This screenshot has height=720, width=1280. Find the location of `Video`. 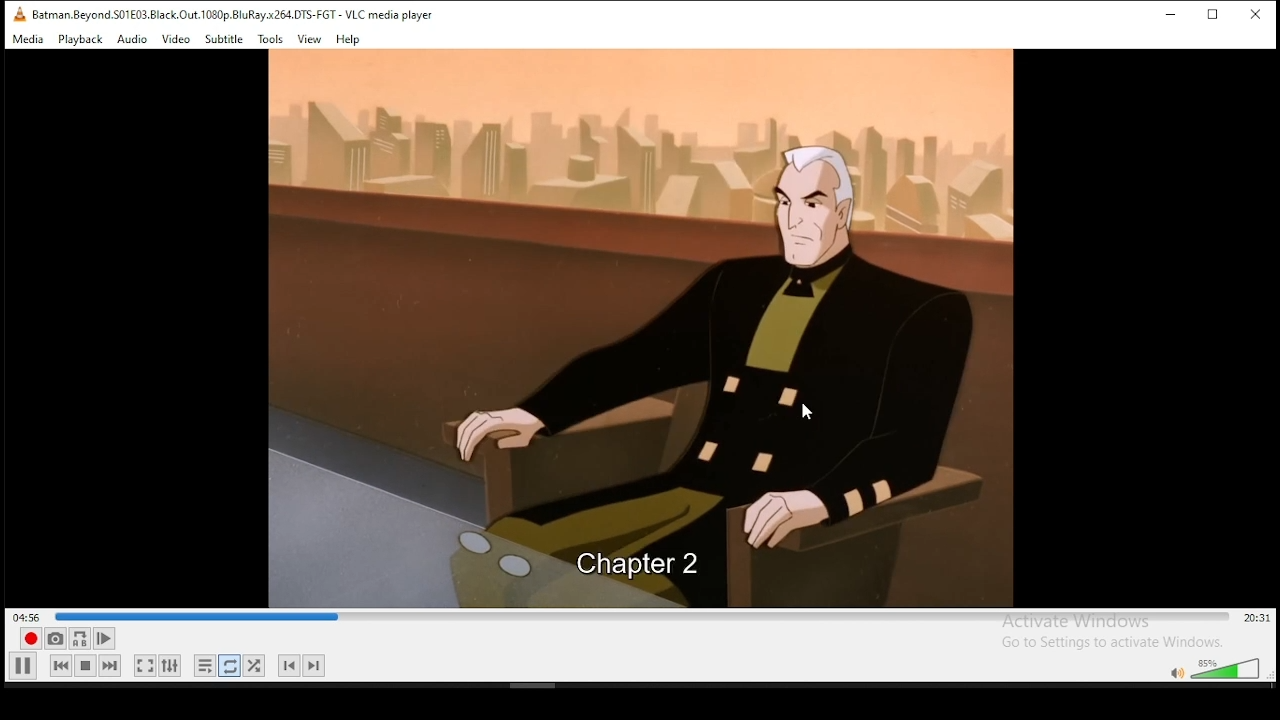

Video is located at coordinates (175, 40).